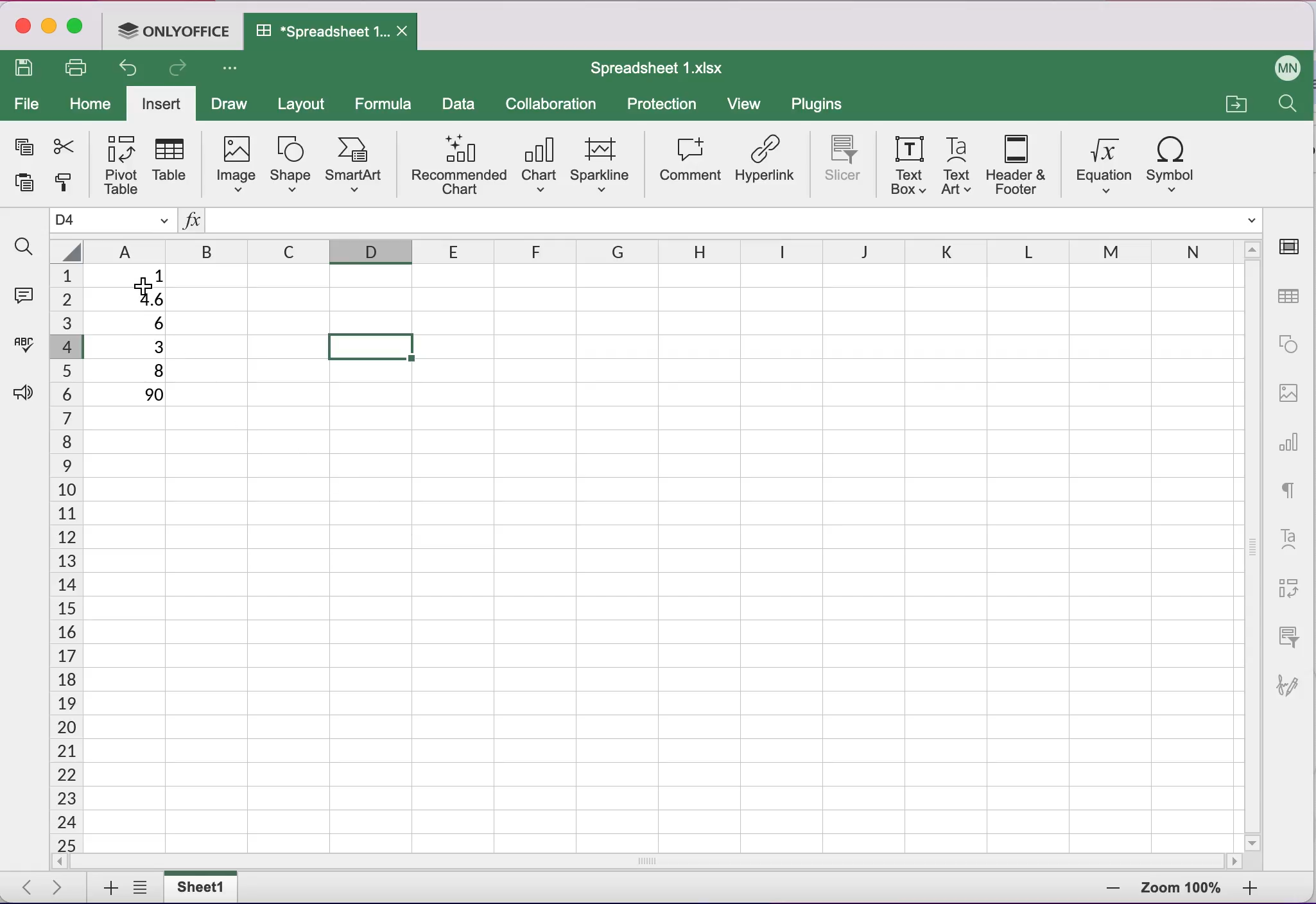 The width and height of the screenshot is (1316, 904). What do you see at coordinates (50, 28) in the screenshot?
I see `minimize` at bounding box center [50, 28].